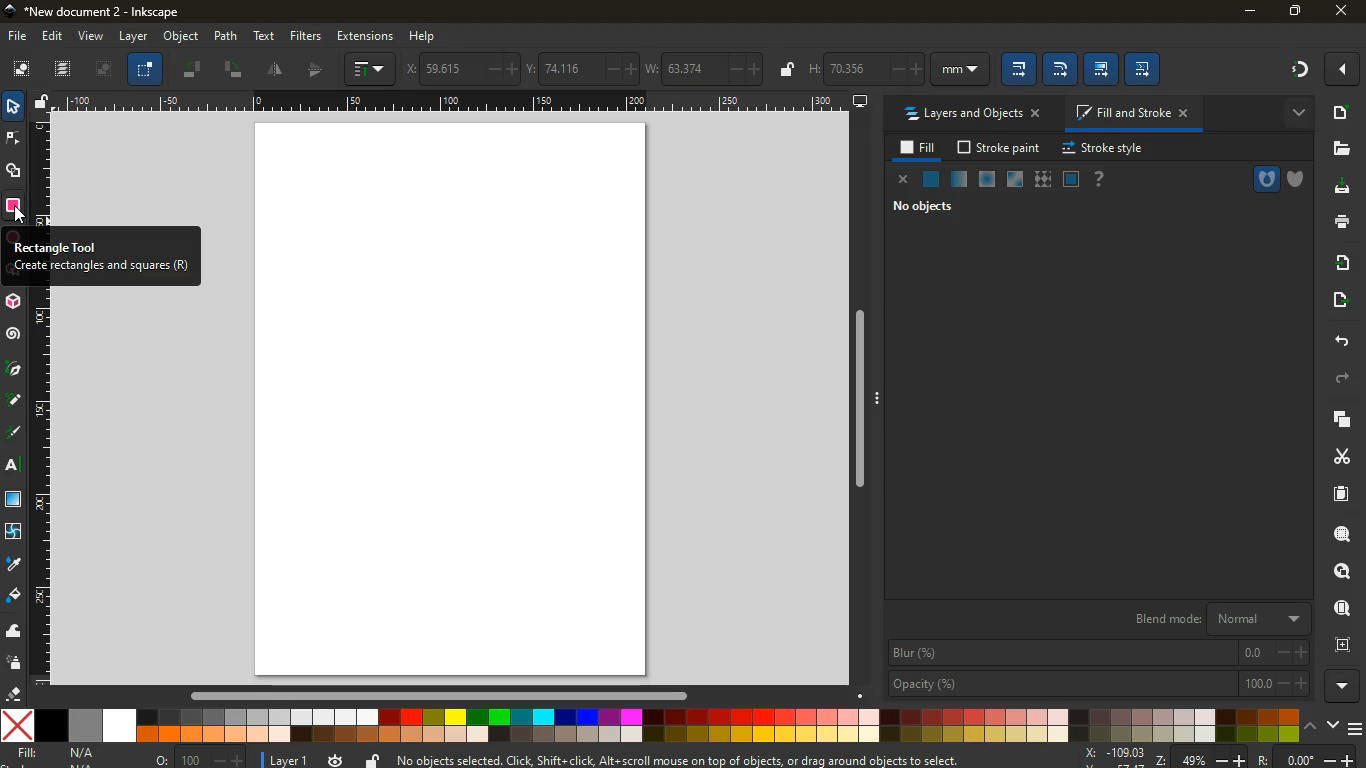 Image resolution: width=1366 pixels, height=768 pixels. Describe the element at coordinates (1354, 729) in the screenshot. I see `menu` at that location.